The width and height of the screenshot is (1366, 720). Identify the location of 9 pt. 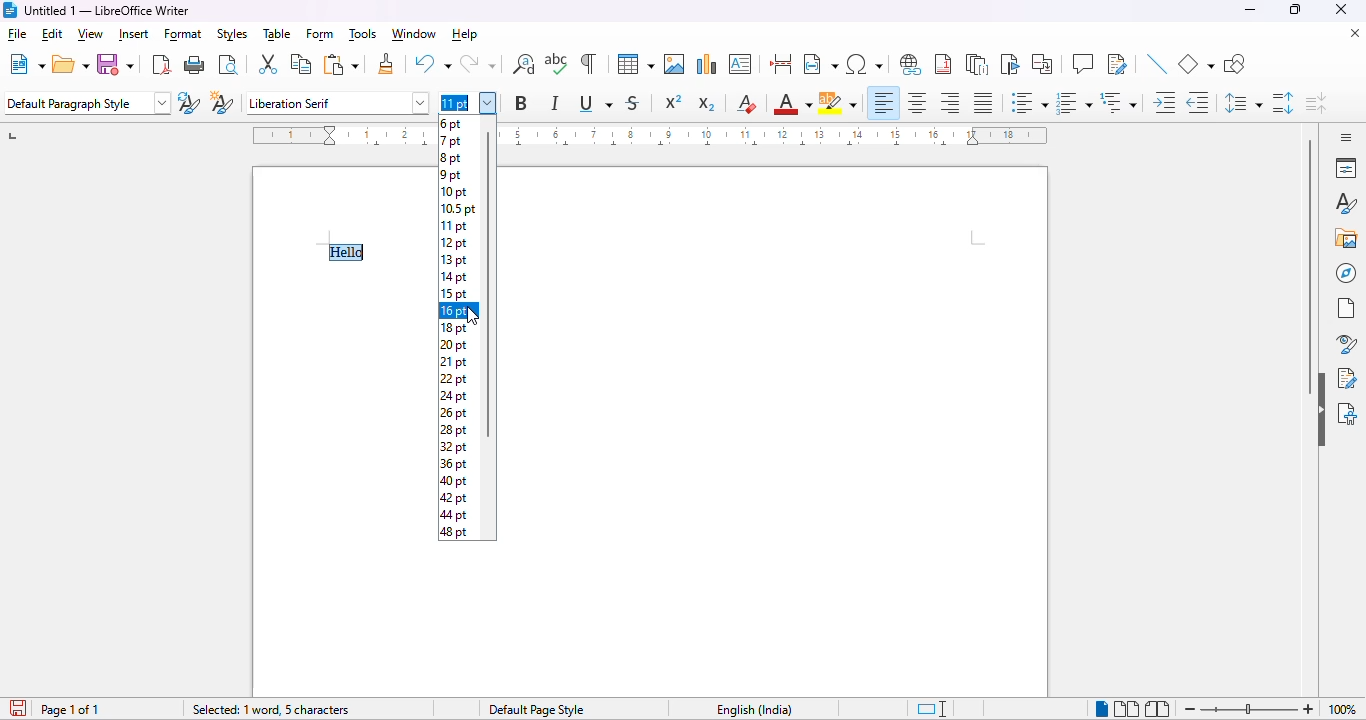
(450, 174).